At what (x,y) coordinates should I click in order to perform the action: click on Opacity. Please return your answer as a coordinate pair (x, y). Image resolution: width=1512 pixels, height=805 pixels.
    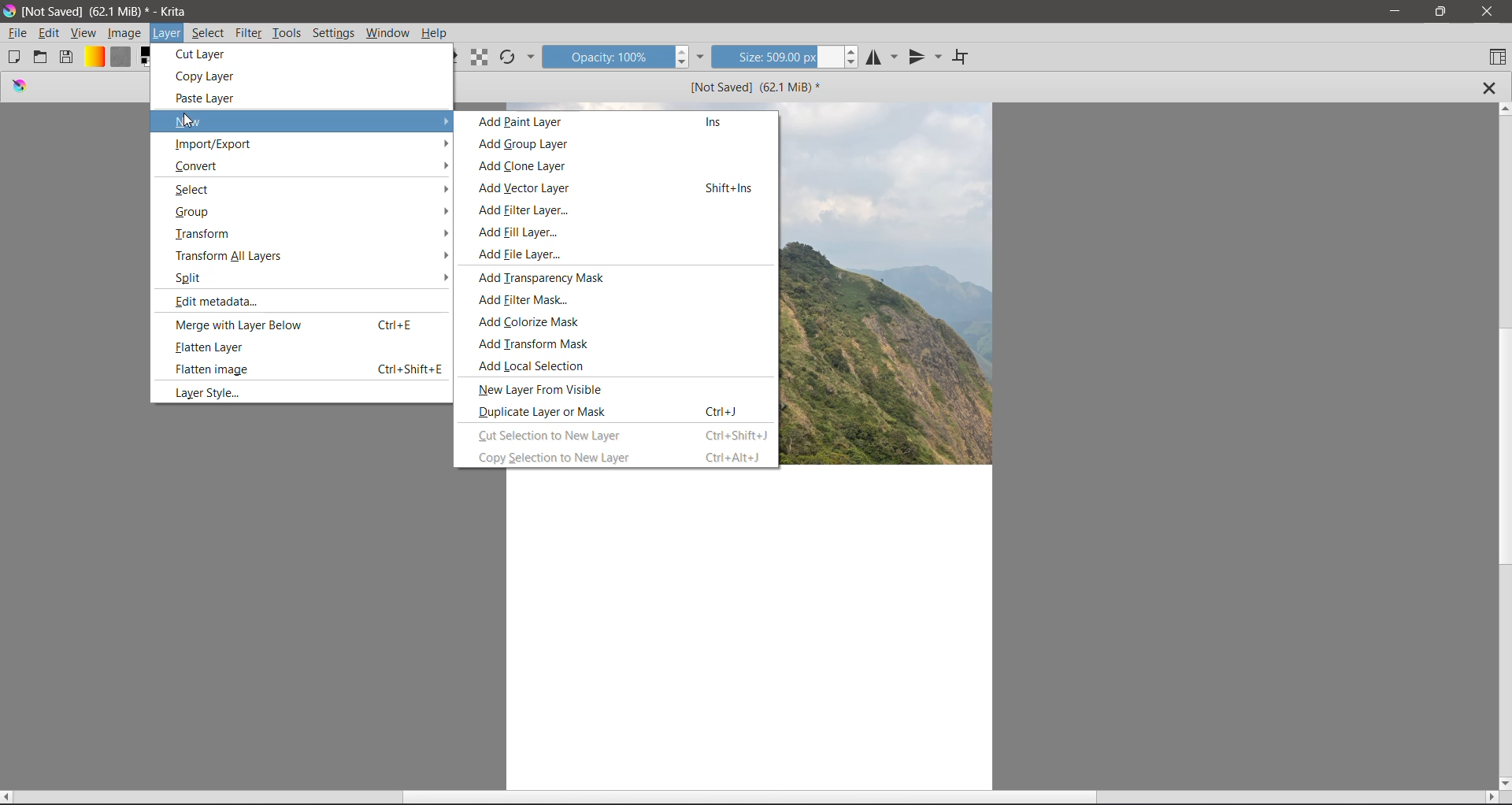
    Looking at the image, I should click on (606, 58).